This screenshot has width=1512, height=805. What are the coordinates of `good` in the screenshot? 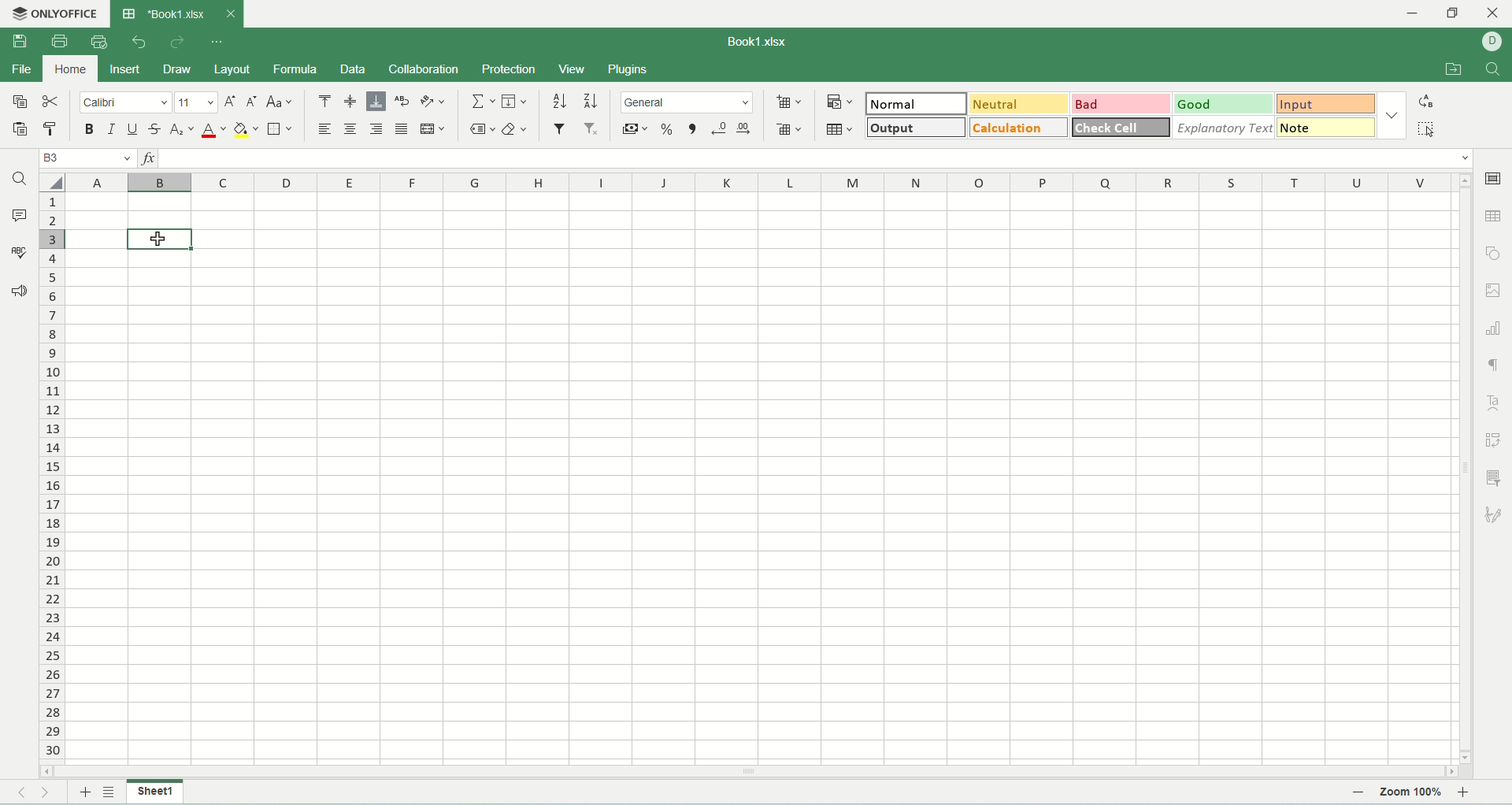 It's located at (1230, 104).